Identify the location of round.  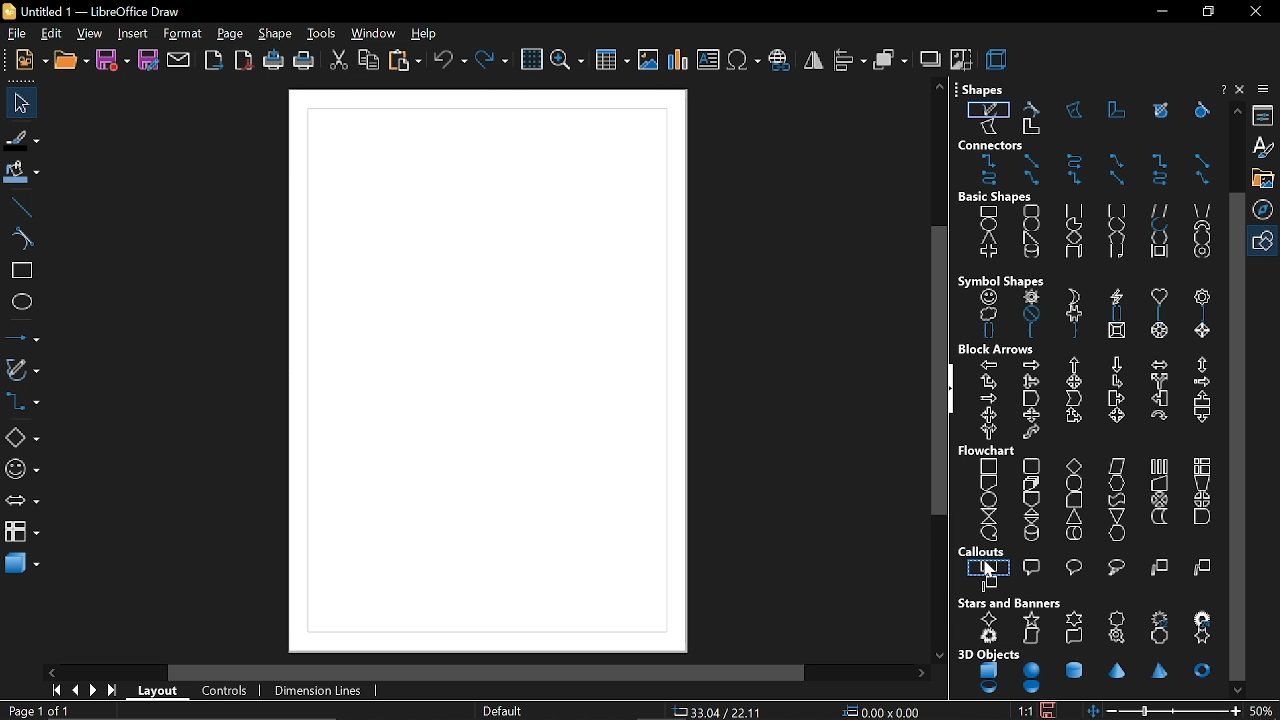
(1076, 566).